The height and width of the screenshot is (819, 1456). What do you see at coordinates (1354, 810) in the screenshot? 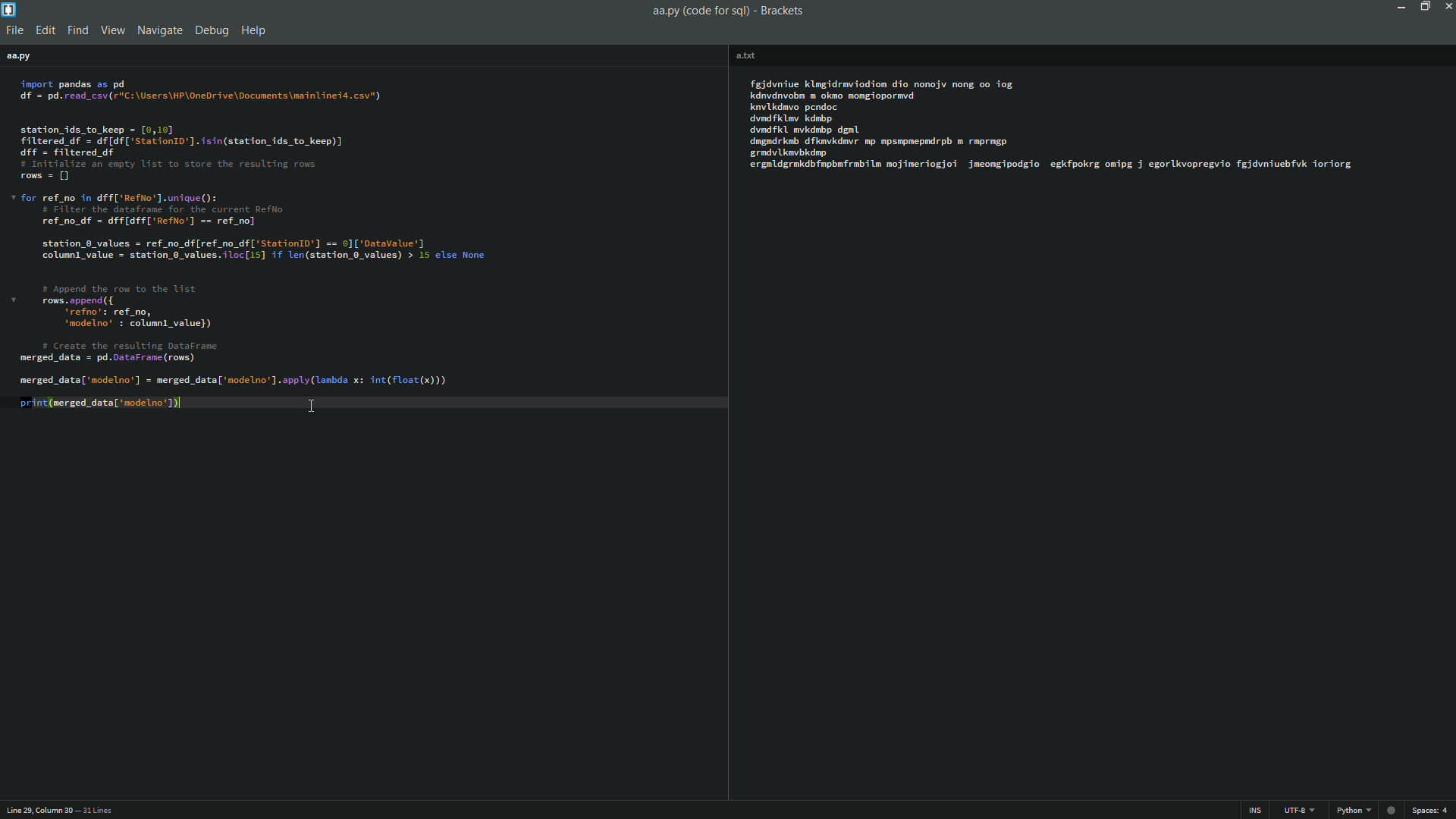
I see `python` at bounding box center [1354, 810].